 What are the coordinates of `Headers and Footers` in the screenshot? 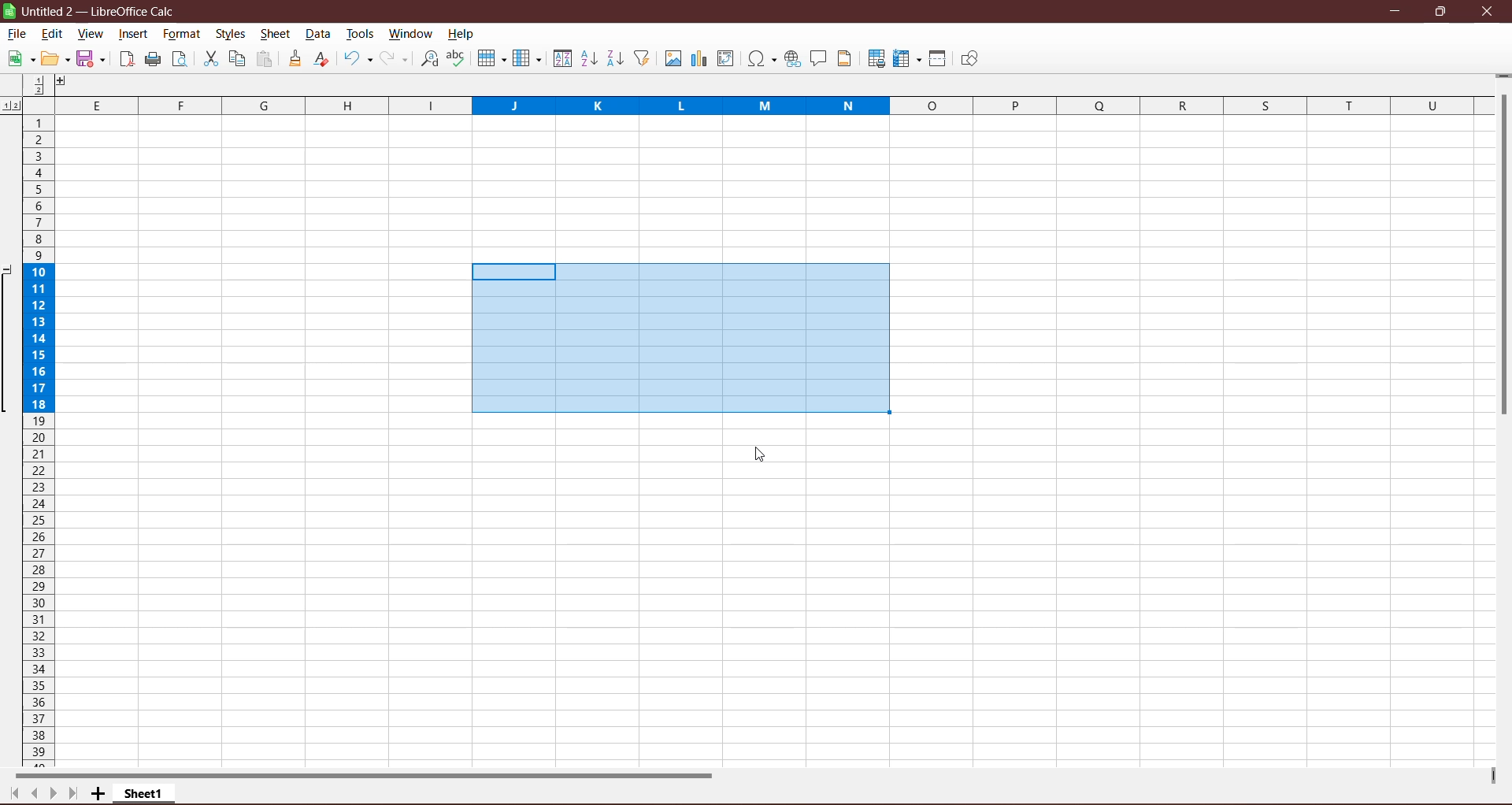 It's located at (847, 58).